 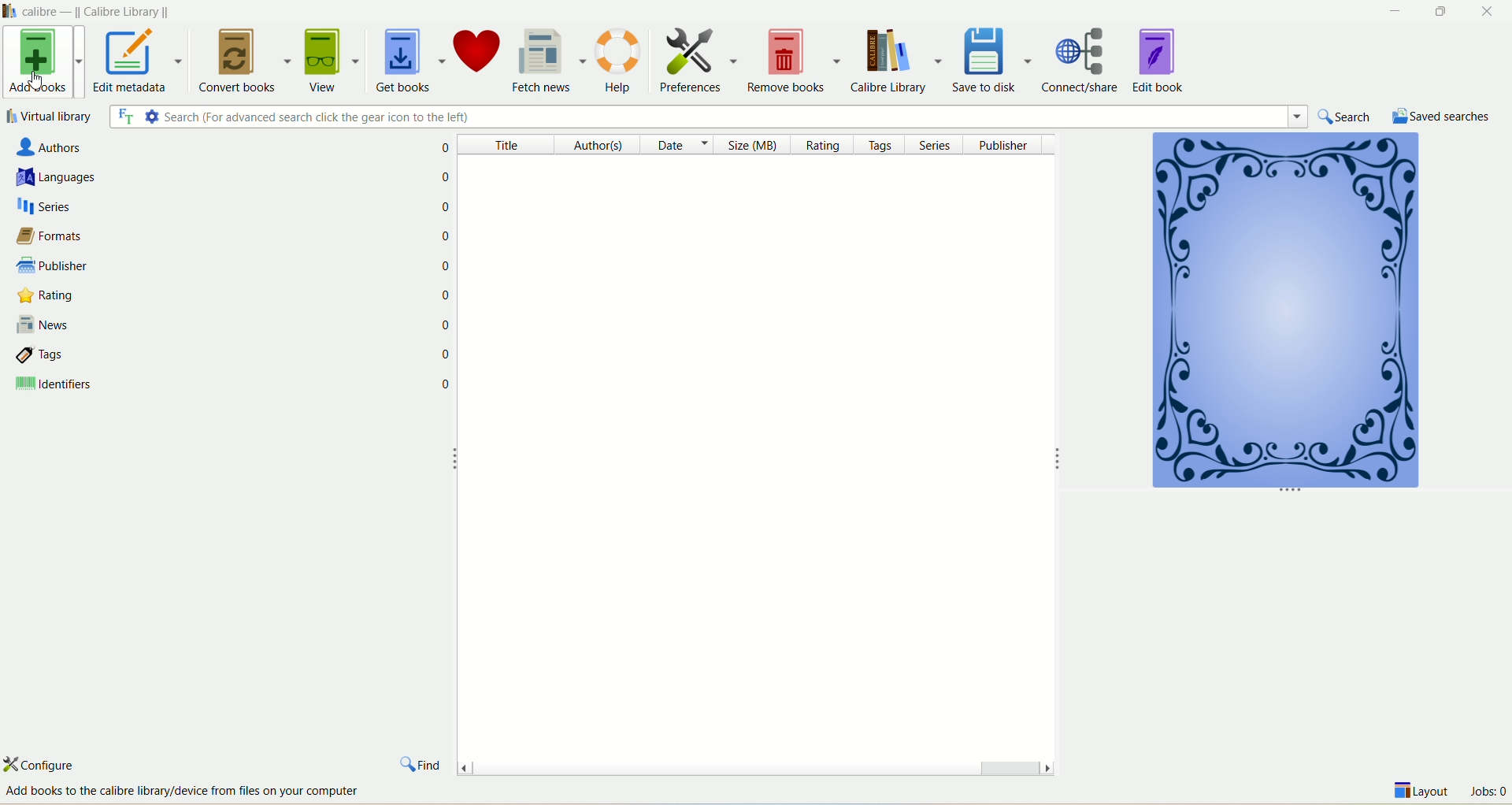 What do you see at coordinates (332, 58) in the screenshot?
I see `view` at bounding box center [332, 58].